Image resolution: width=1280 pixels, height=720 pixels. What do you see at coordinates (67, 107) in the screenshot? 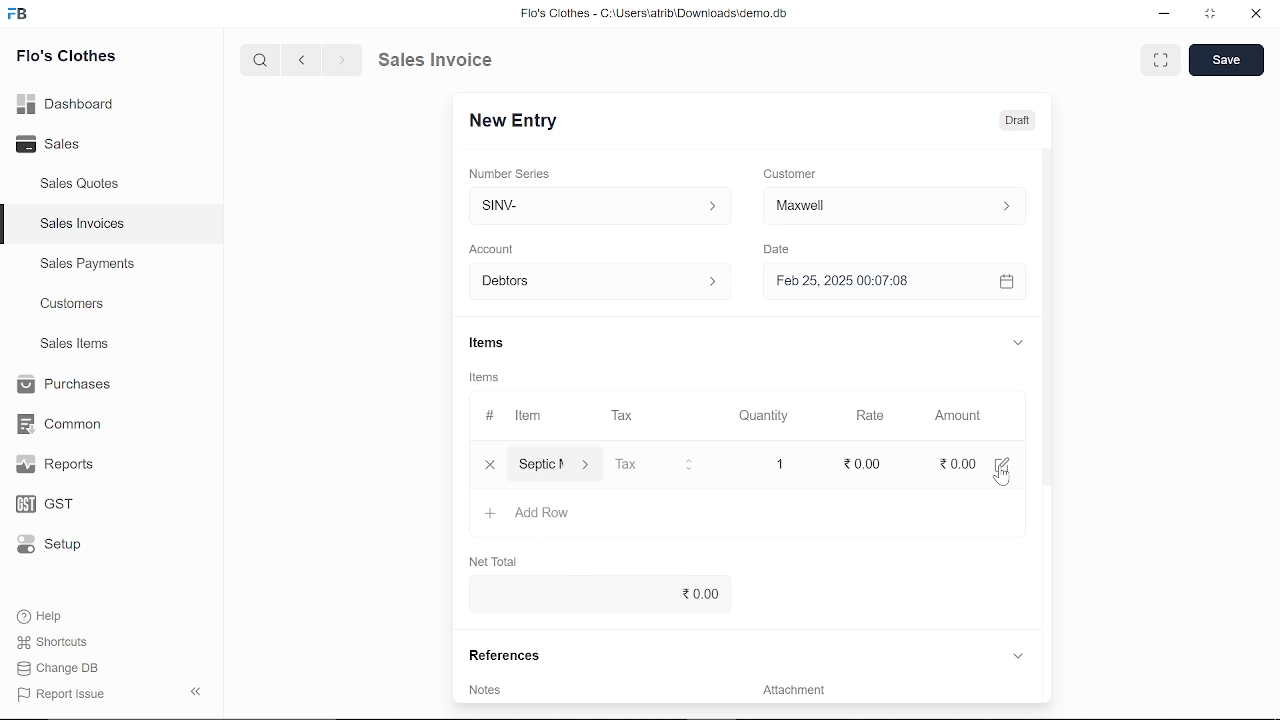
I see `Dashboard` at bounding box center [67, 107].